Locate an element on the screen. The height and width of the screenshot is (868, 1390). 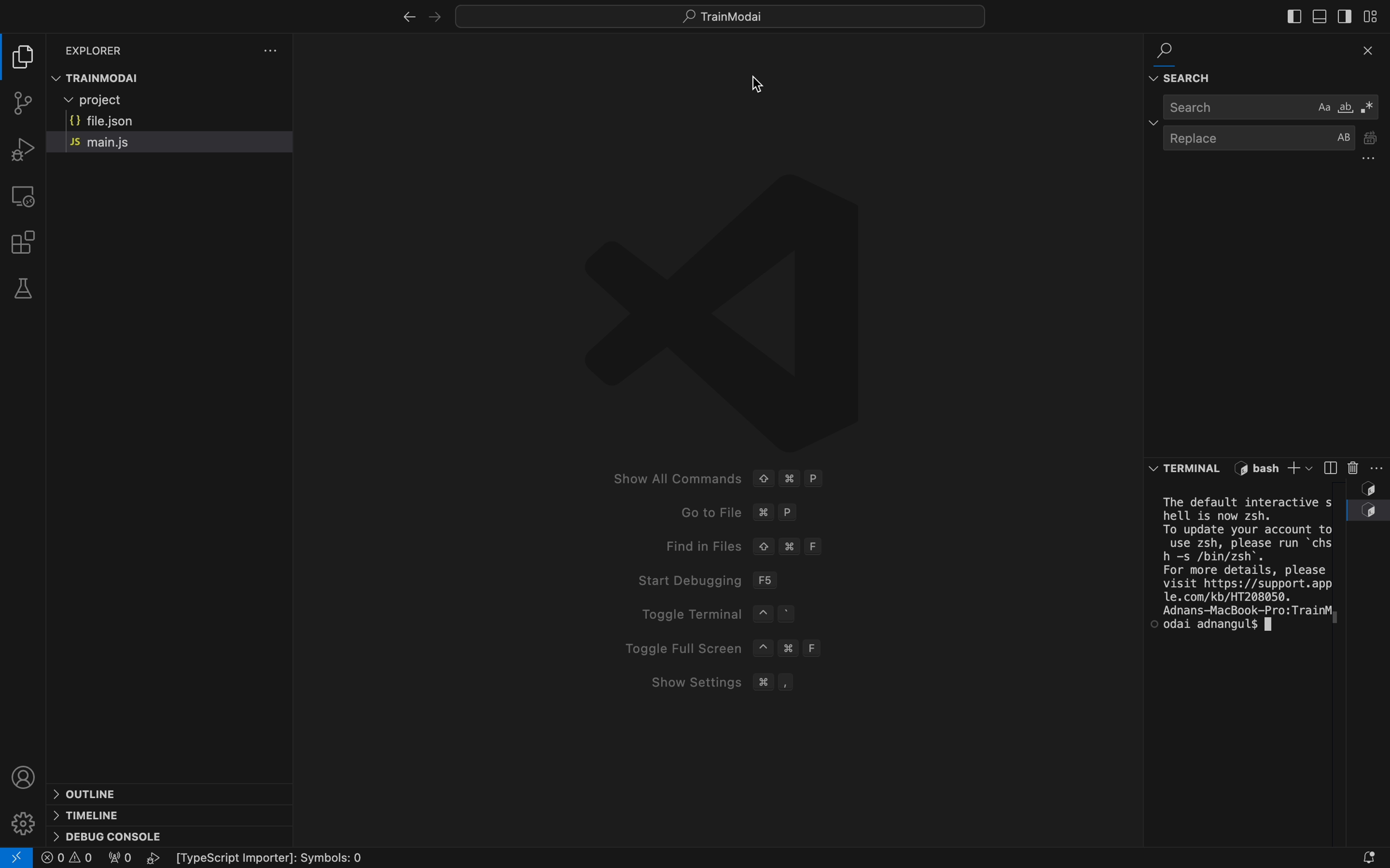
Flg is located at coordinates (118, 859).